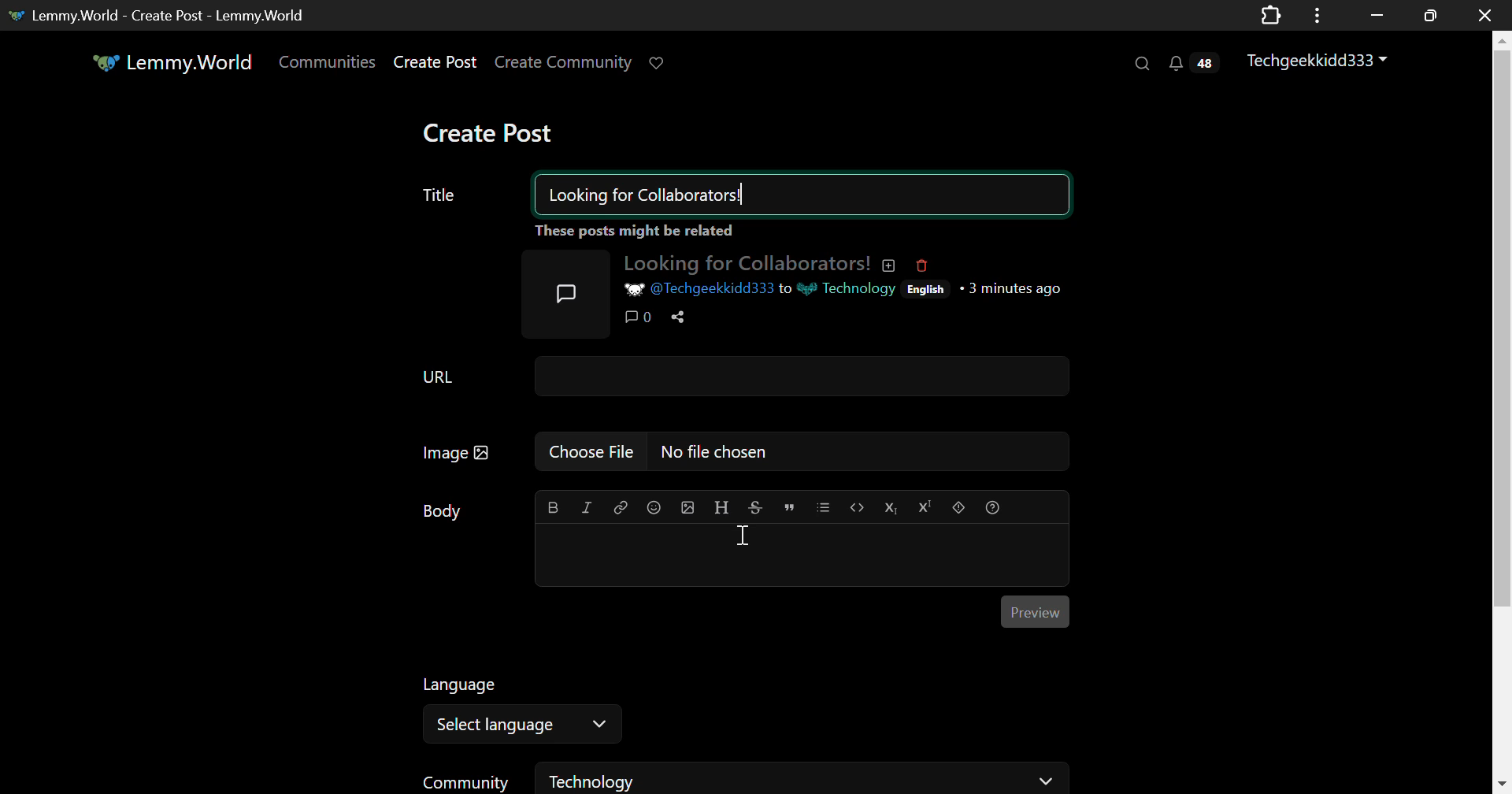  What do you see at coordinates (746, 195) in the screenshot?
I see `Title: Looking for Collaborators!` at bounding box center [746, 195].